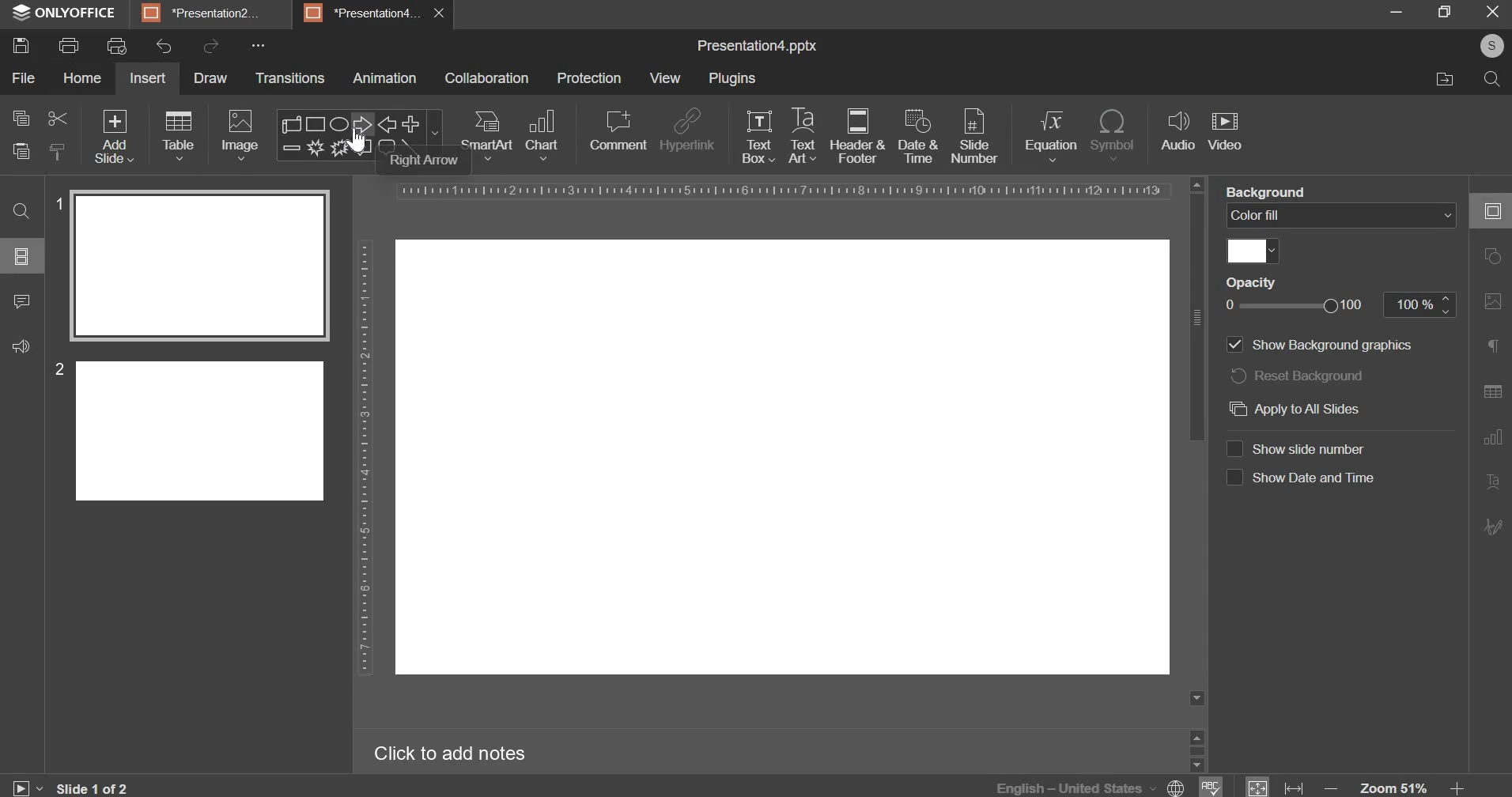 This screenshot has height=797, width=1512. I want to click on text art, so click(800, 136).